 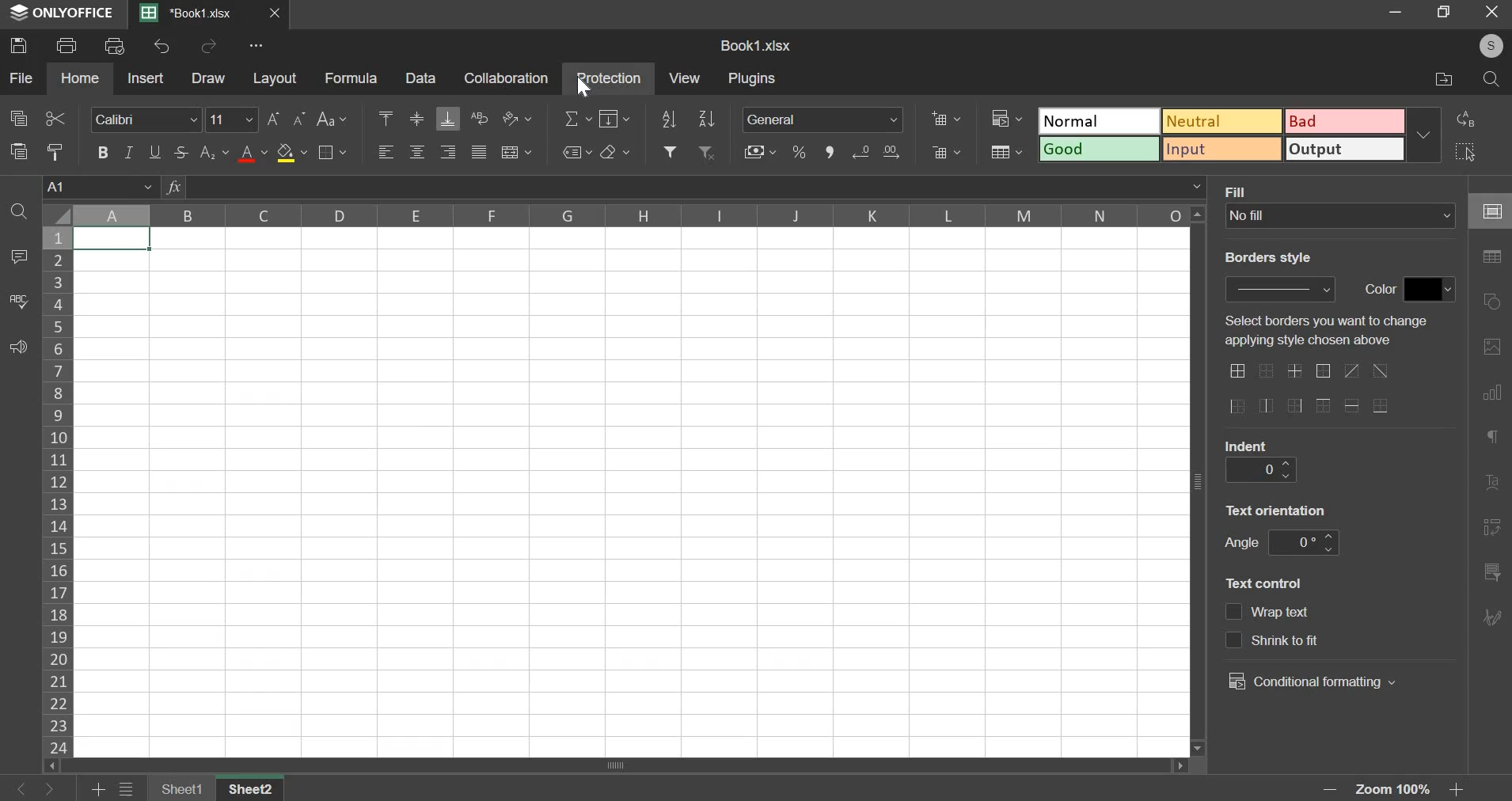 What do you see at coordinates (127, 790) in the screenshot?
I see `menu` at bounding box center [127, 790].